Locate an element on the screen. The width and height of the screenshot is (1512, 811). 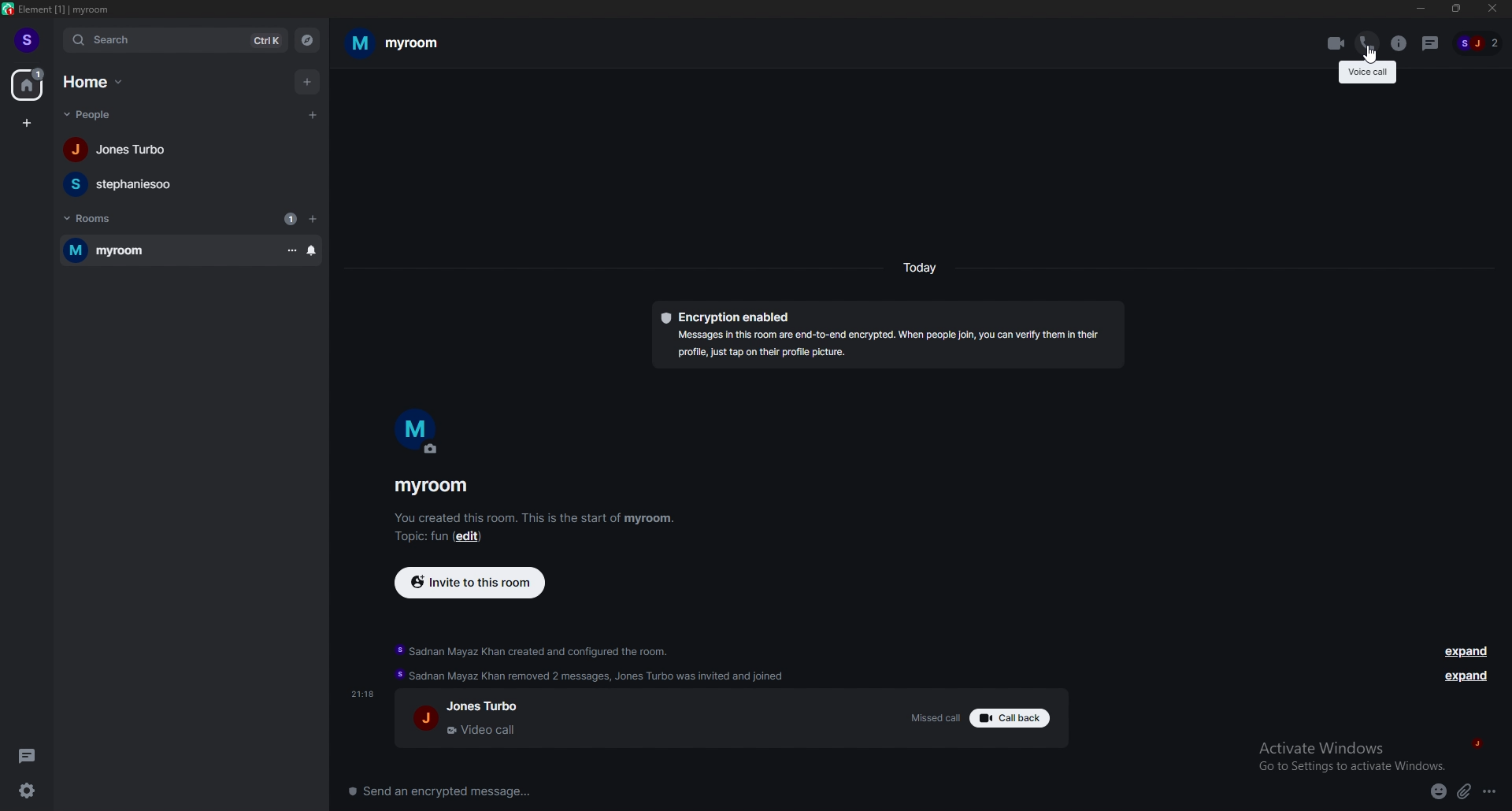
J Jones Turbo Video call is located at coordinates (476, 720).